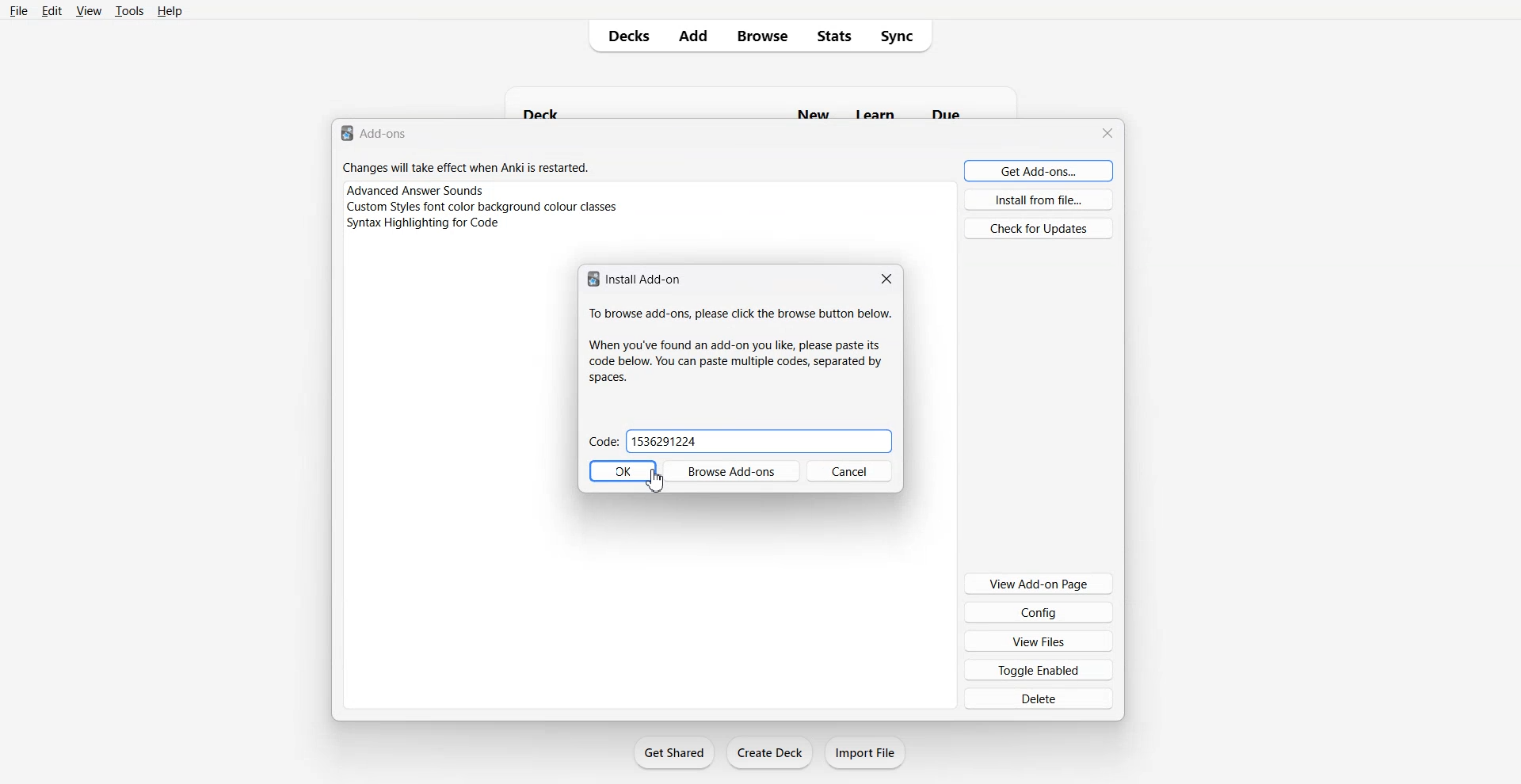  What do you see at coordinates (657, 480) in the screenshot?
I see `Cursor` at bounding box center [657, 480].